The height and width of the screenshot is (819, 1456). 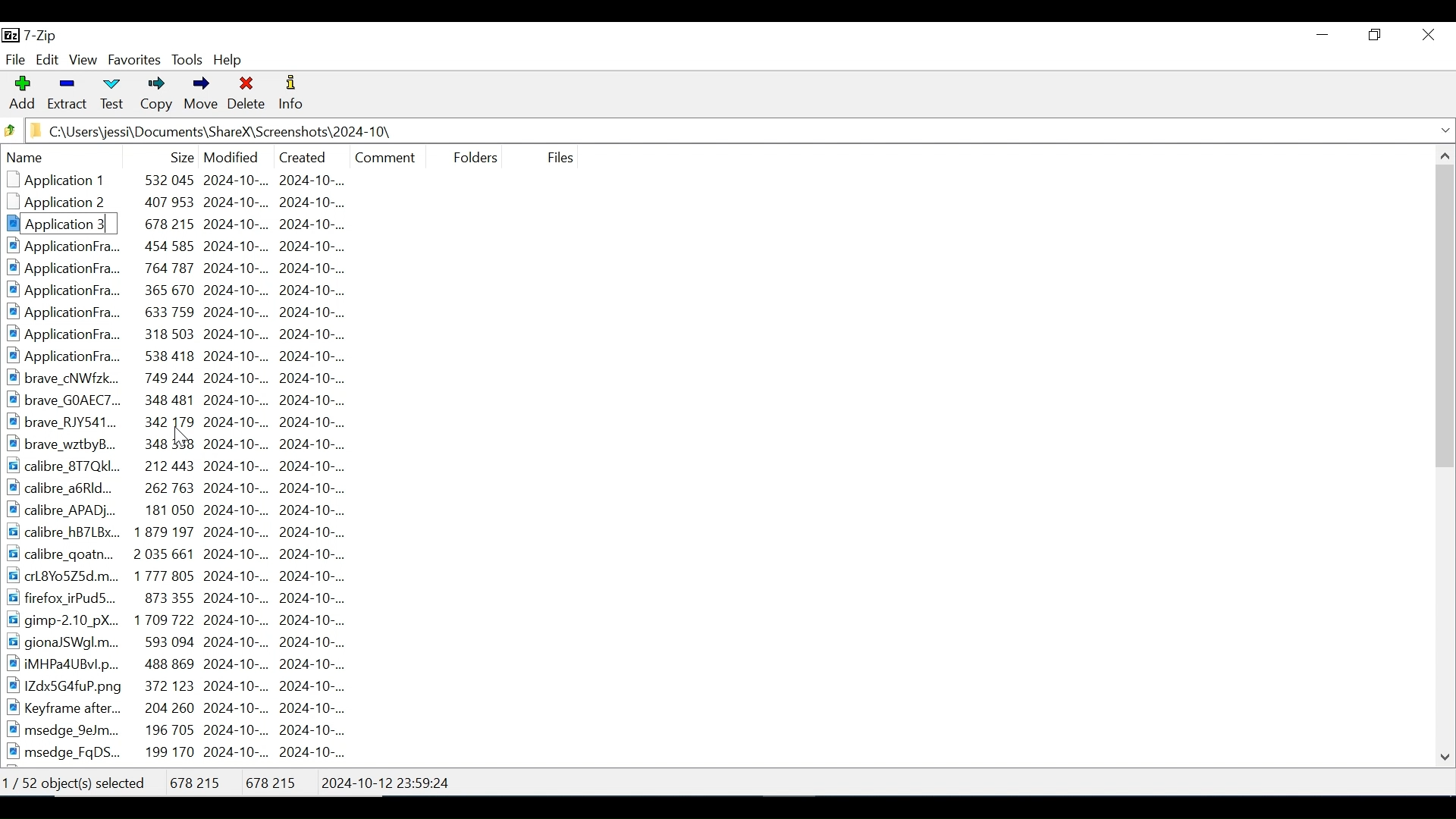 I want to click on 1 / 52 object(s) selected 678 215 678 215 2024-10-12 23:59:24, so click(x=237, y=779).